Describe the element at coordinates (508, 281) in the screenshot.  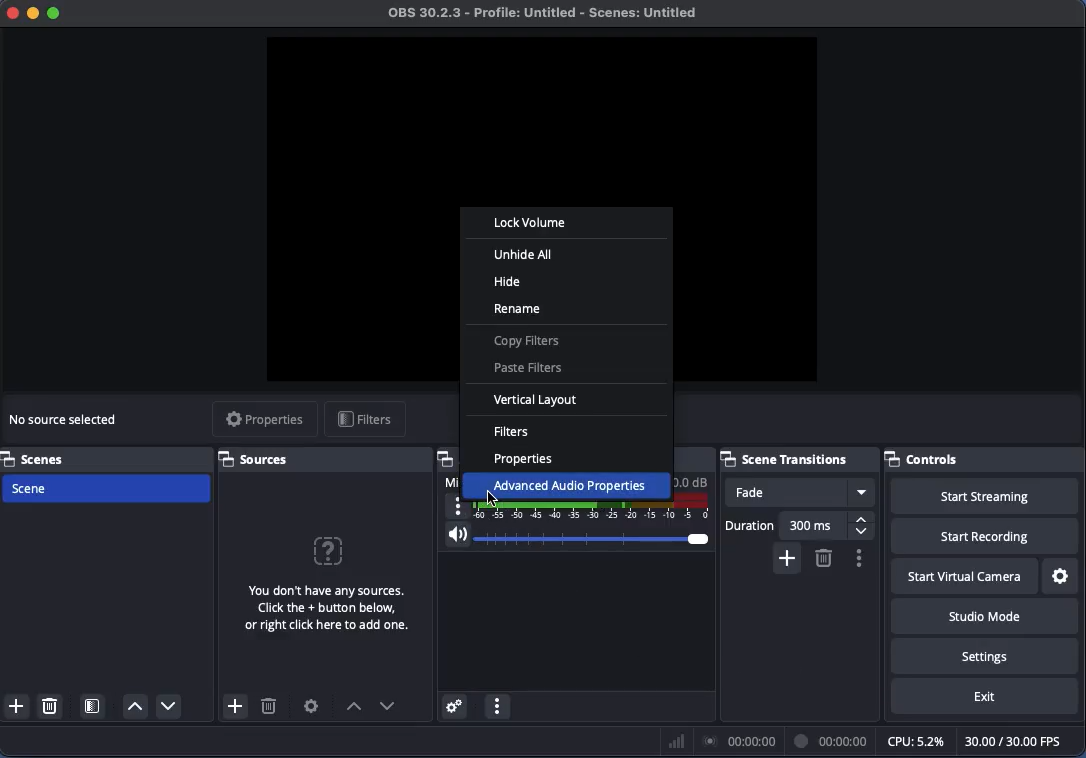
I see `Hide` at that location.